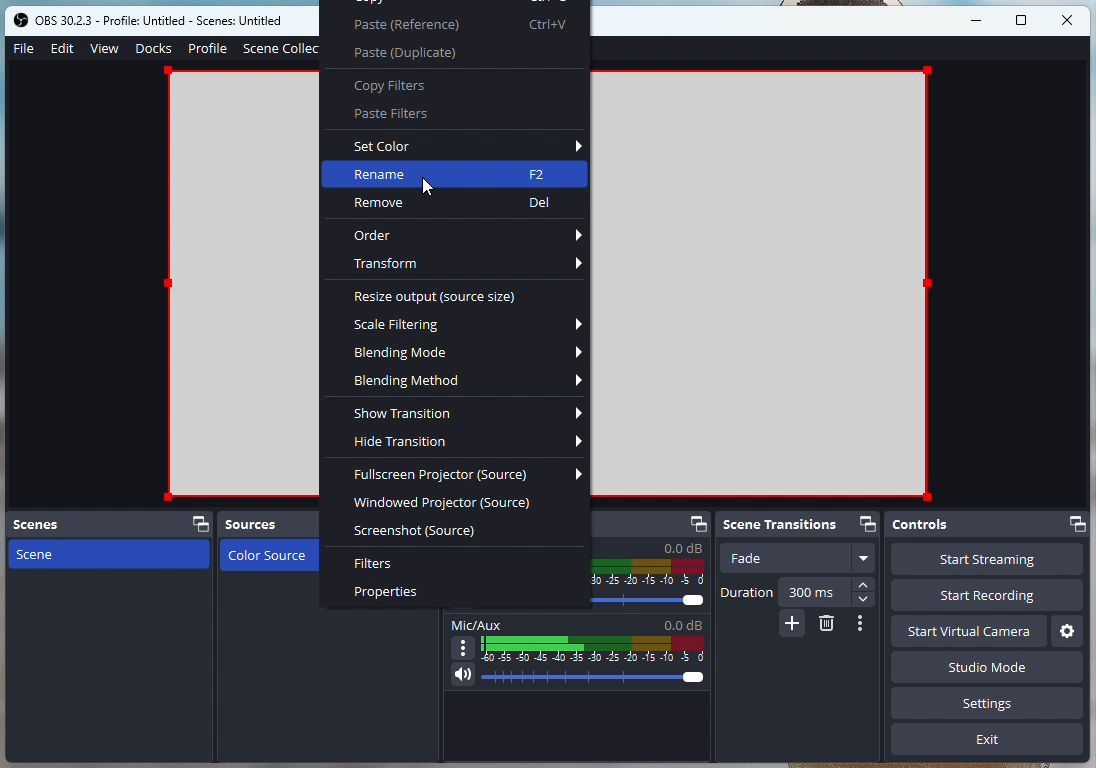 The width and height of the screenshot is (1096, 768). I want to click on Windowed Projector (Source), so click(449, 503).